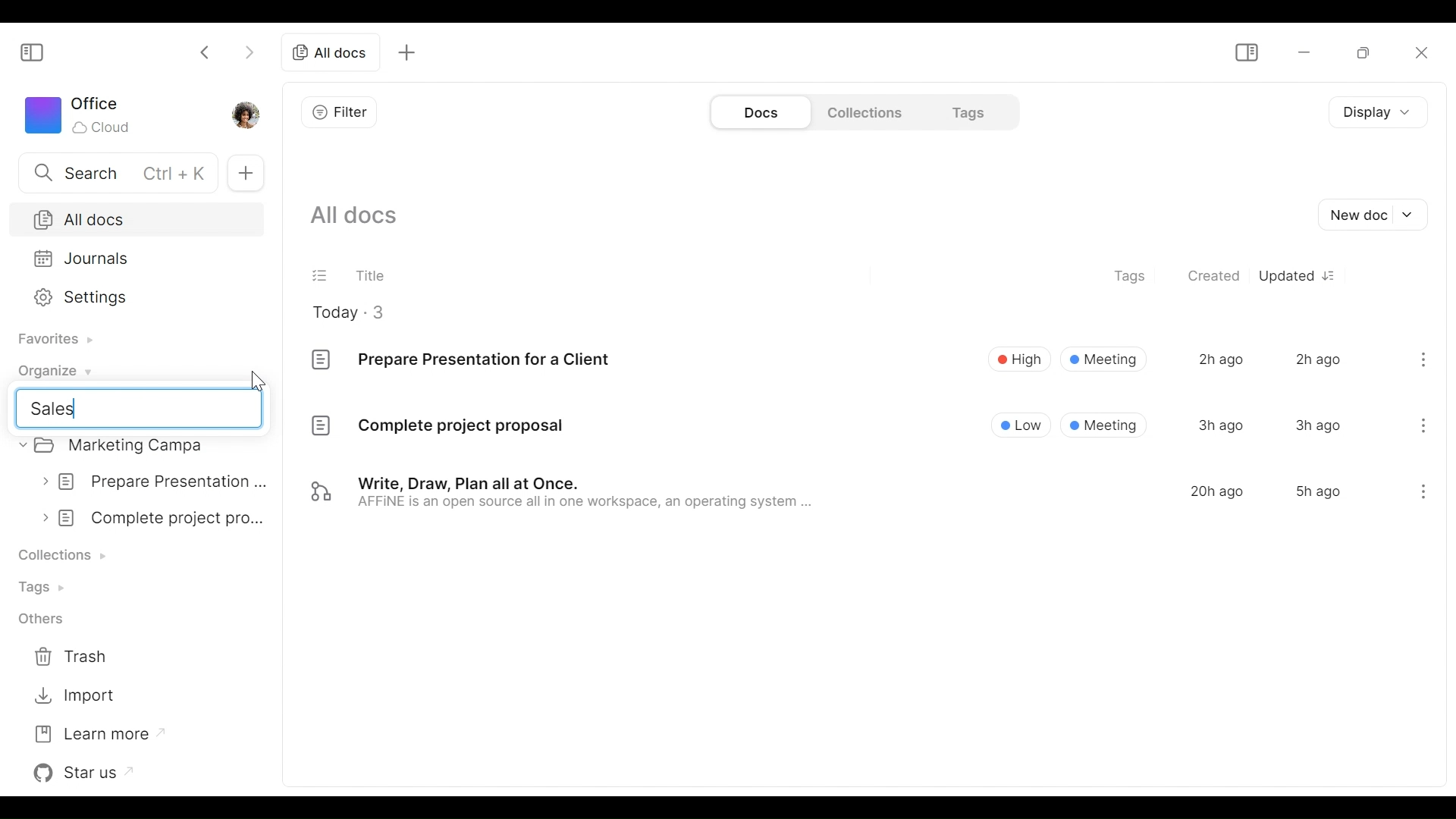  What do you see at coordinates (371, 272) in the screenshot?
I see `Title` at bounding box center [371, 272].